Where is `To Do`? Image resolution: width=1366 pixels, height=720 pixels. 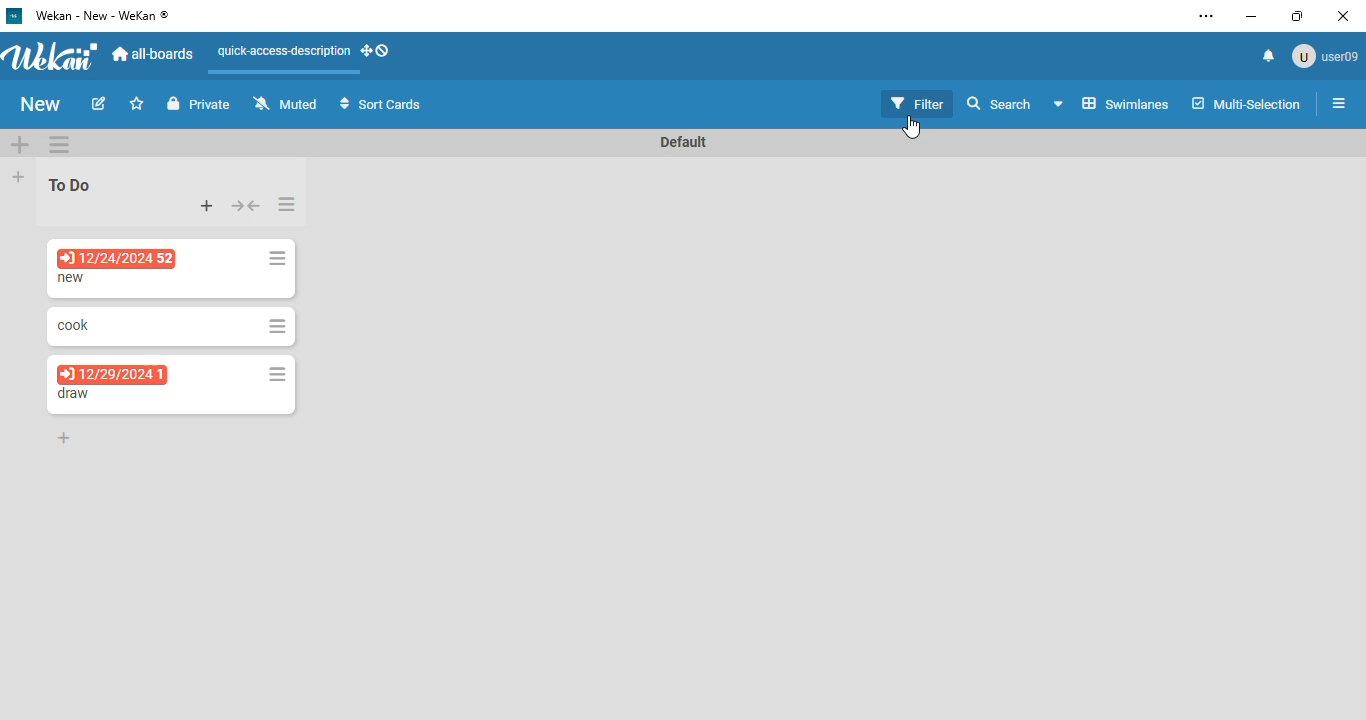 To Do is located at coordinates (81, 185).